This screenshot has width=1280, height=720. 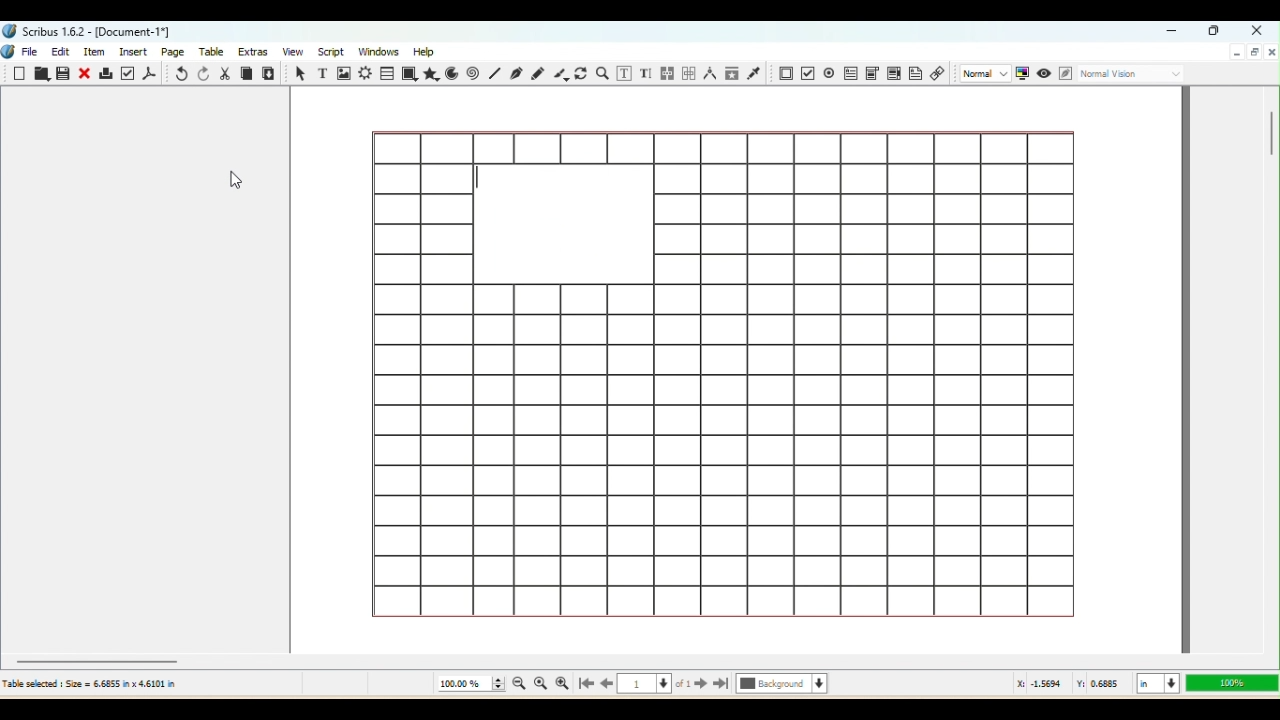 What do you see at coordinates (784, 73) in the screenshot?
I see `PDF Push button` at bounding box center [784, 73].